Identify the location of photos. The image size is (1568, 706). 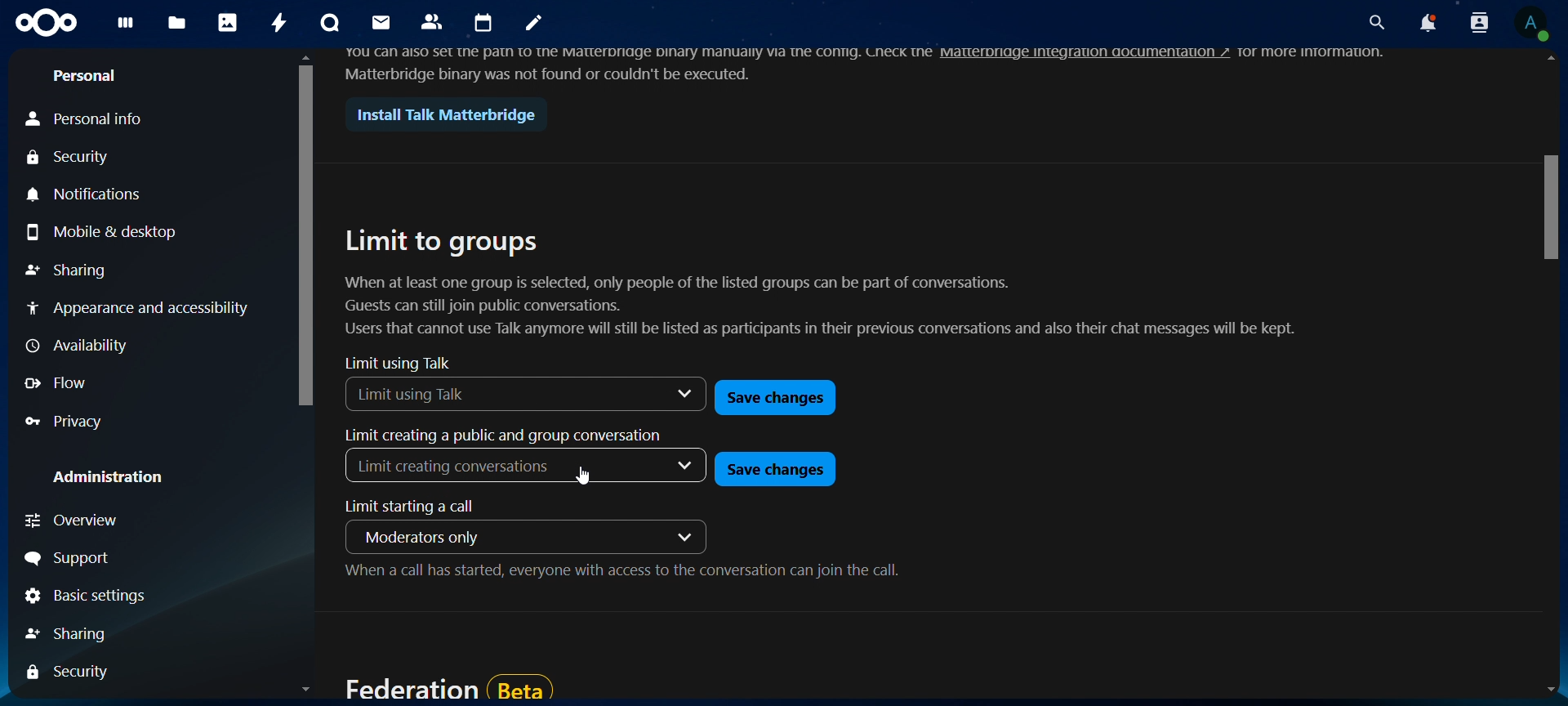
(229, 21).